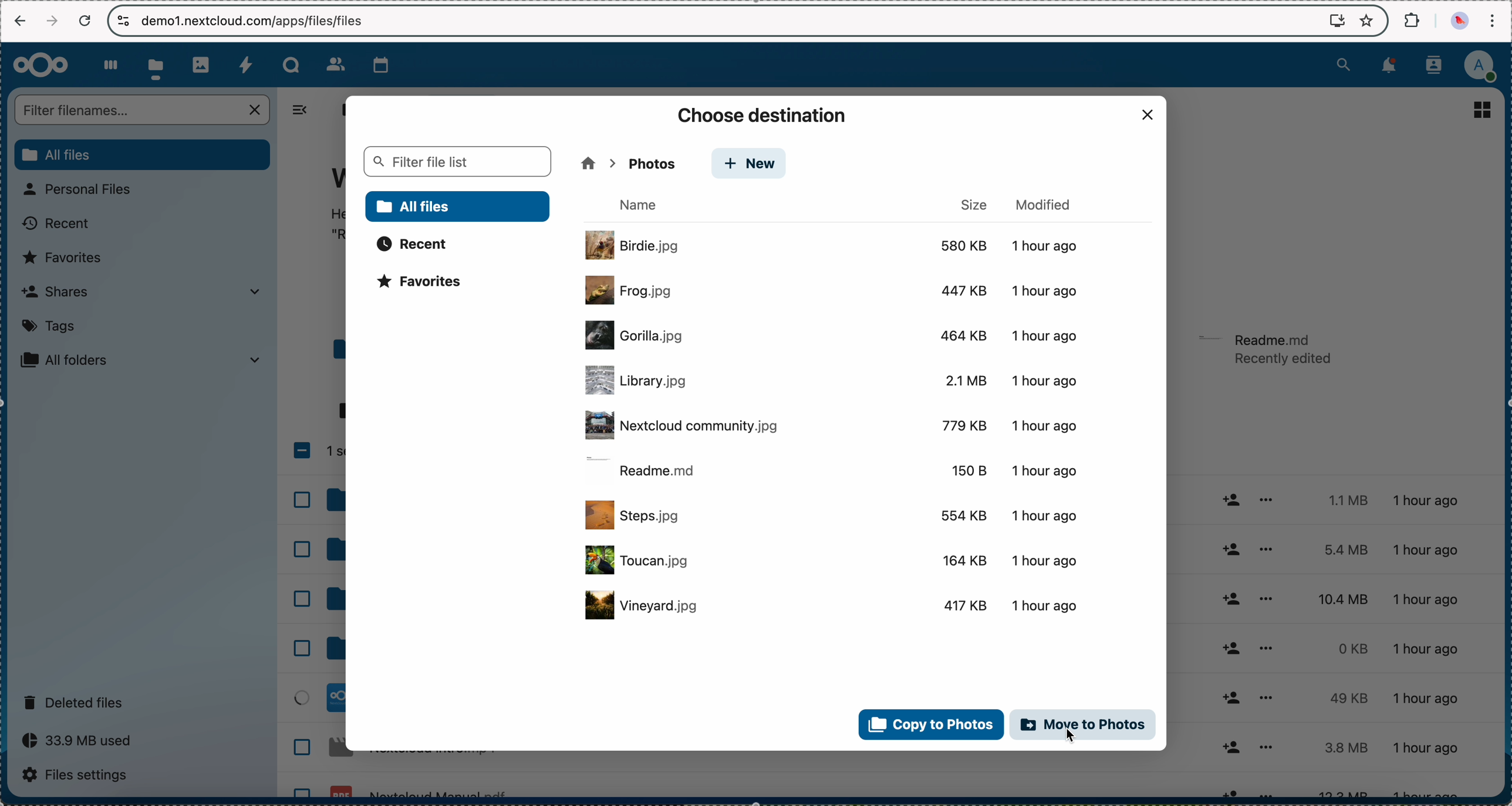  Describe the element at coordinates (158, 65) in the screenshot. I see `click on files` at that location.